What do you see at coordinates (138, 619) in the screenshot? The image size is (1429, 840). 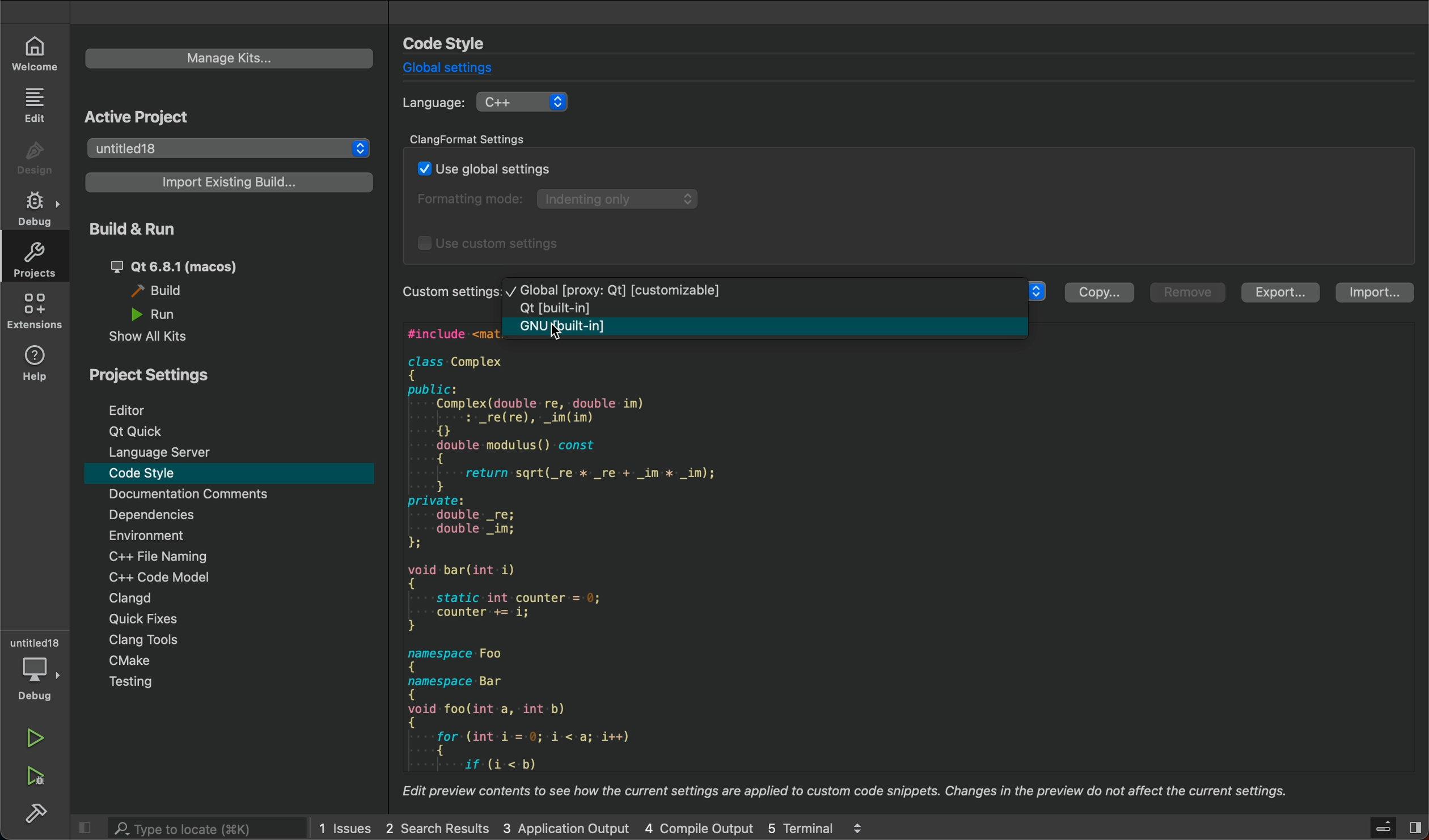 I see `quick fixes` at bounding box center [138, 619].